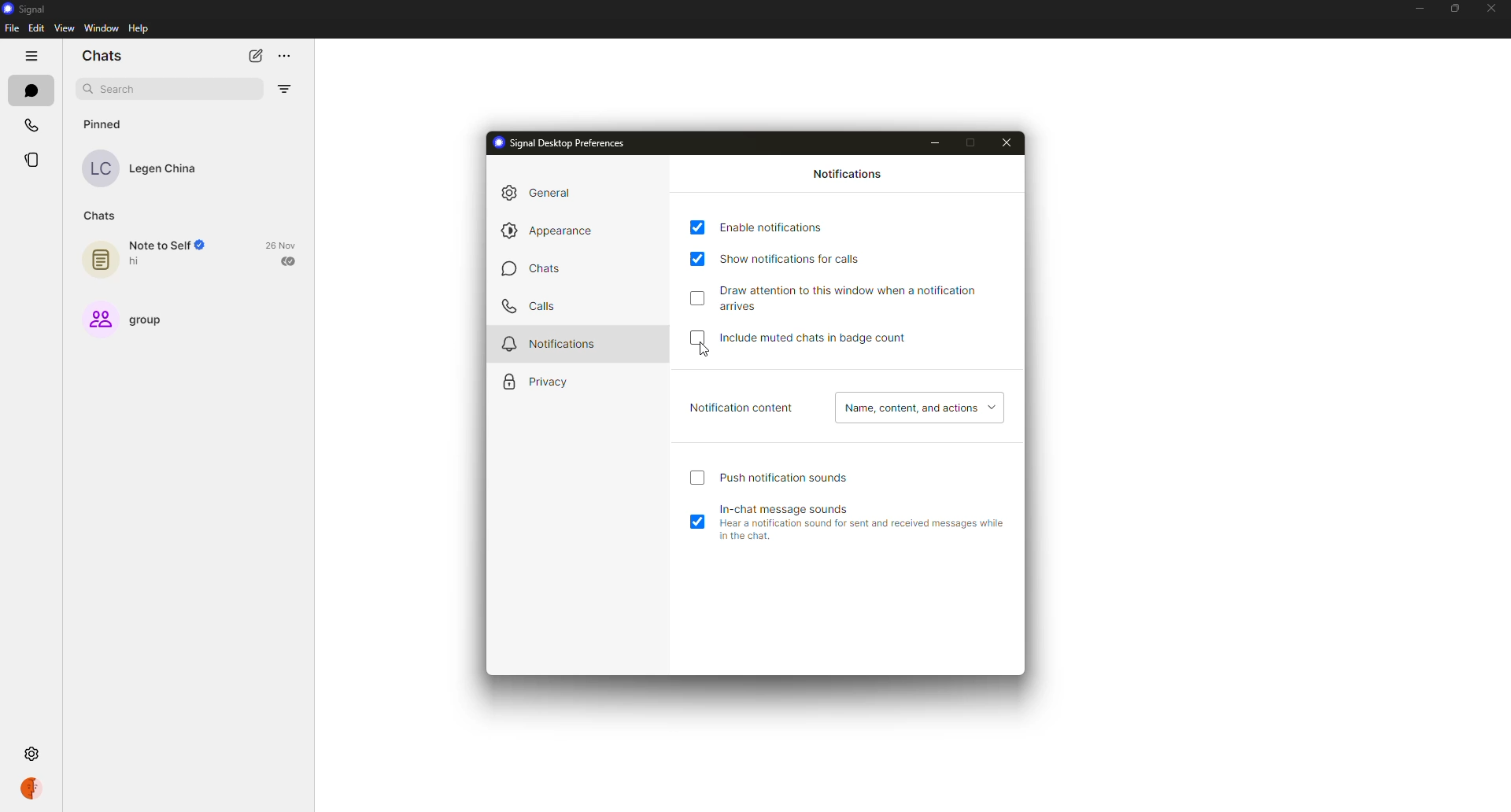 The height and width of the screenshot is (812, 1511). What do you see at coordinates (696, 337) in the screenshot?
I see `click to enable` at bounding box center [696, 337].